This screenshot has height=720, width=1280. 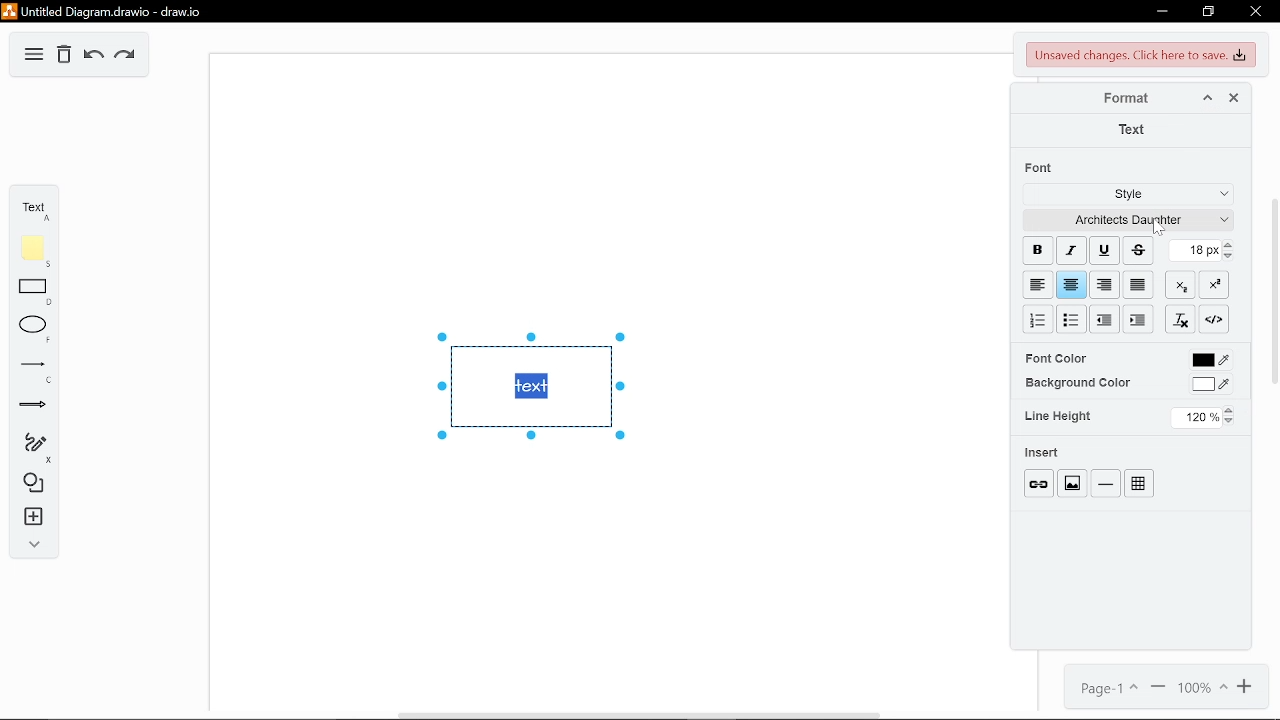 I want to click on bulleted list, so click(x=1072, y=321).